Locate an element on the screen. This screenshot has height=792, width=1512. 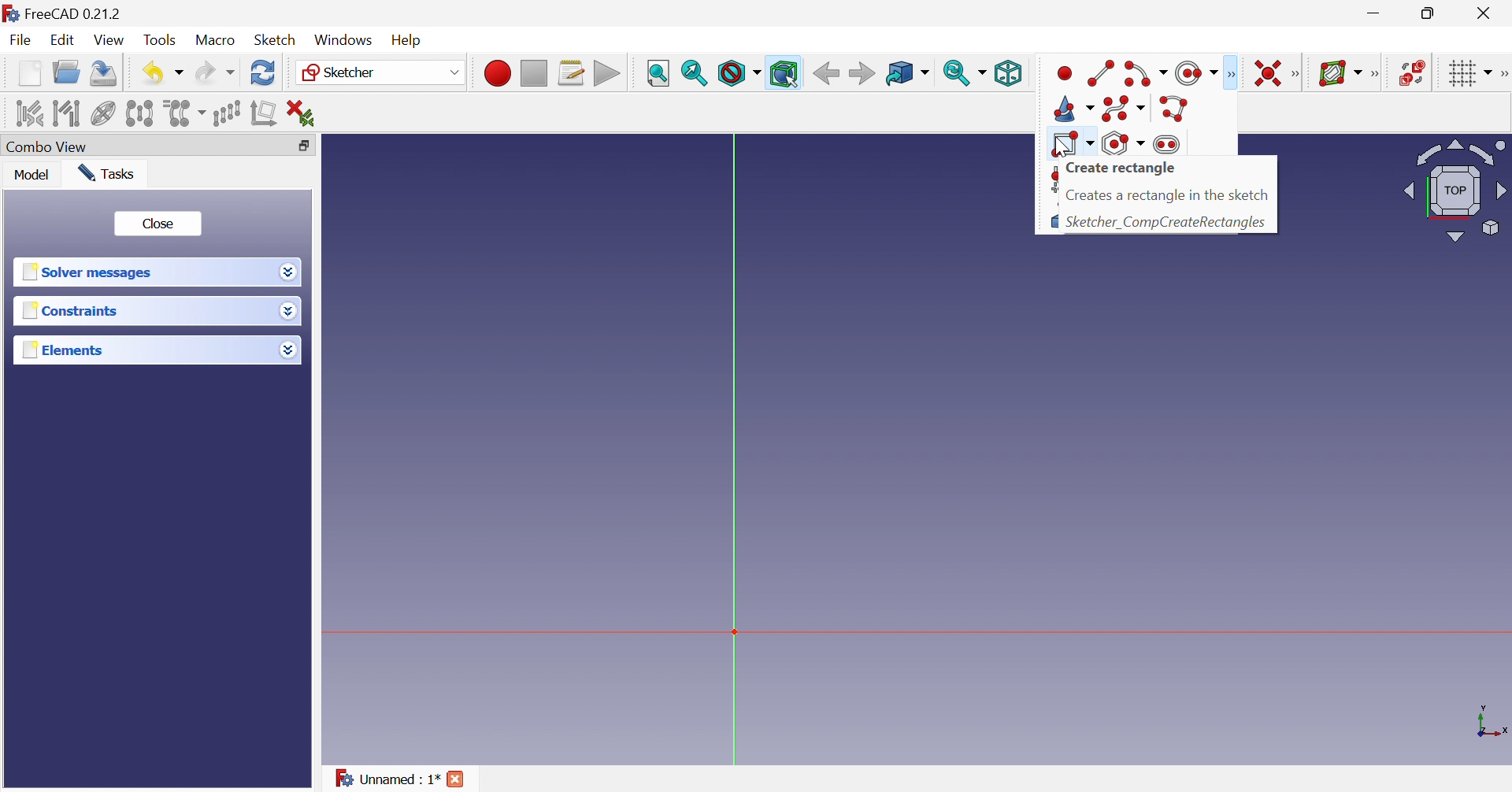
[Sketcher edit tools] is located at coordinates (1503, 73).